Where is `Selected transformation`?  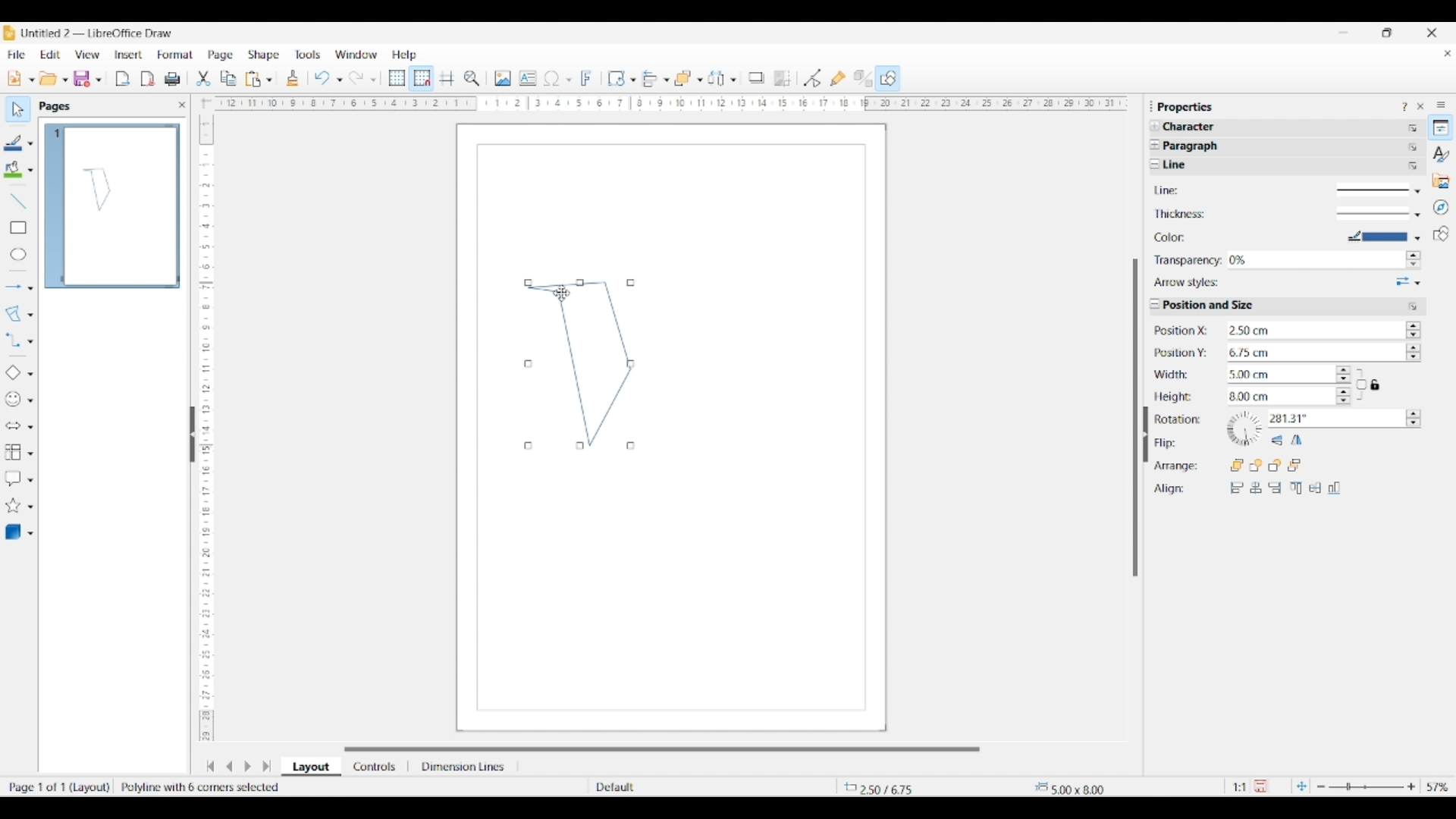 Selected transformation is located at coordinates (616, 78).